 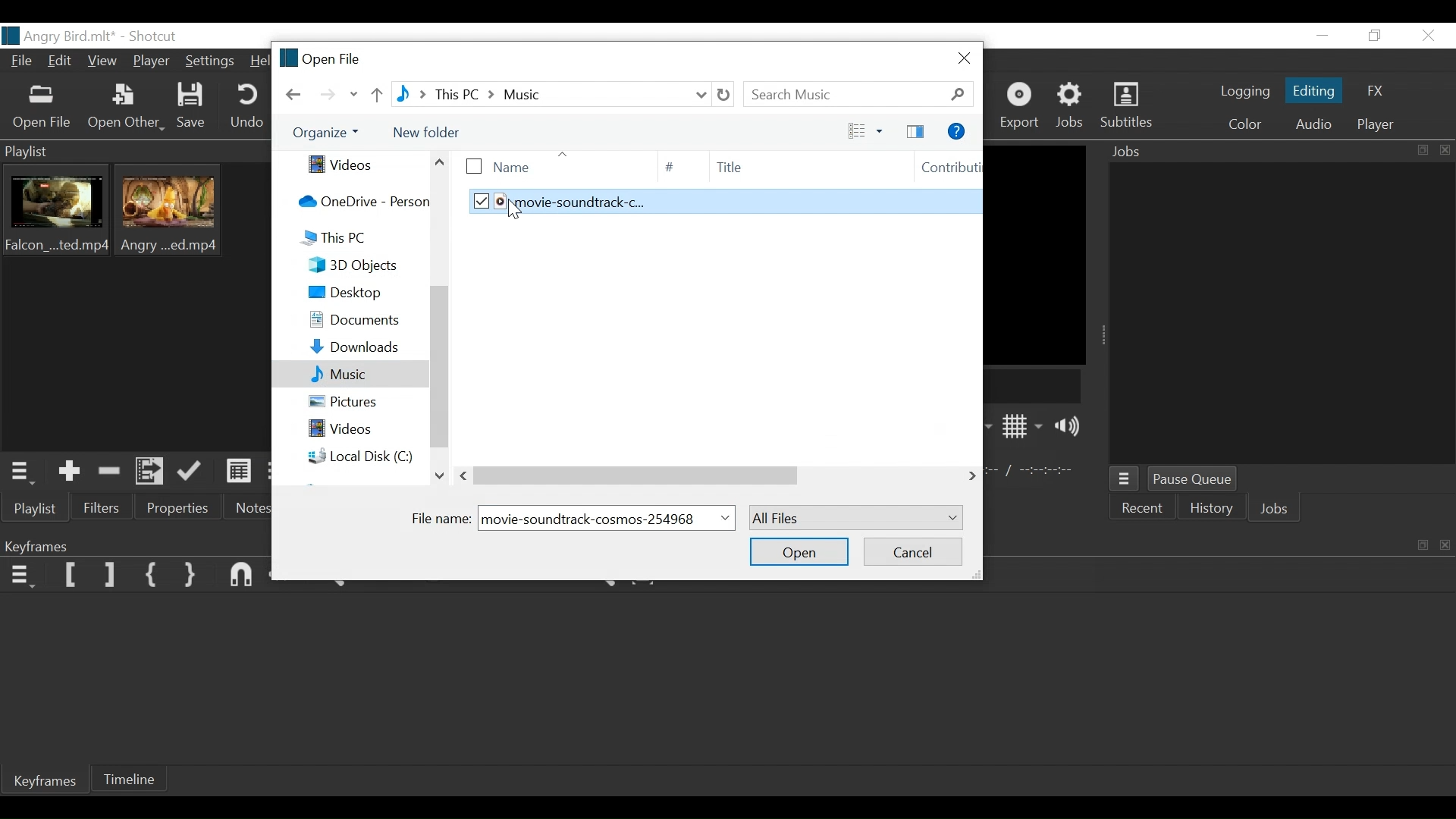 I want to click on Jobs Menu, so click(x=1128, y=479).